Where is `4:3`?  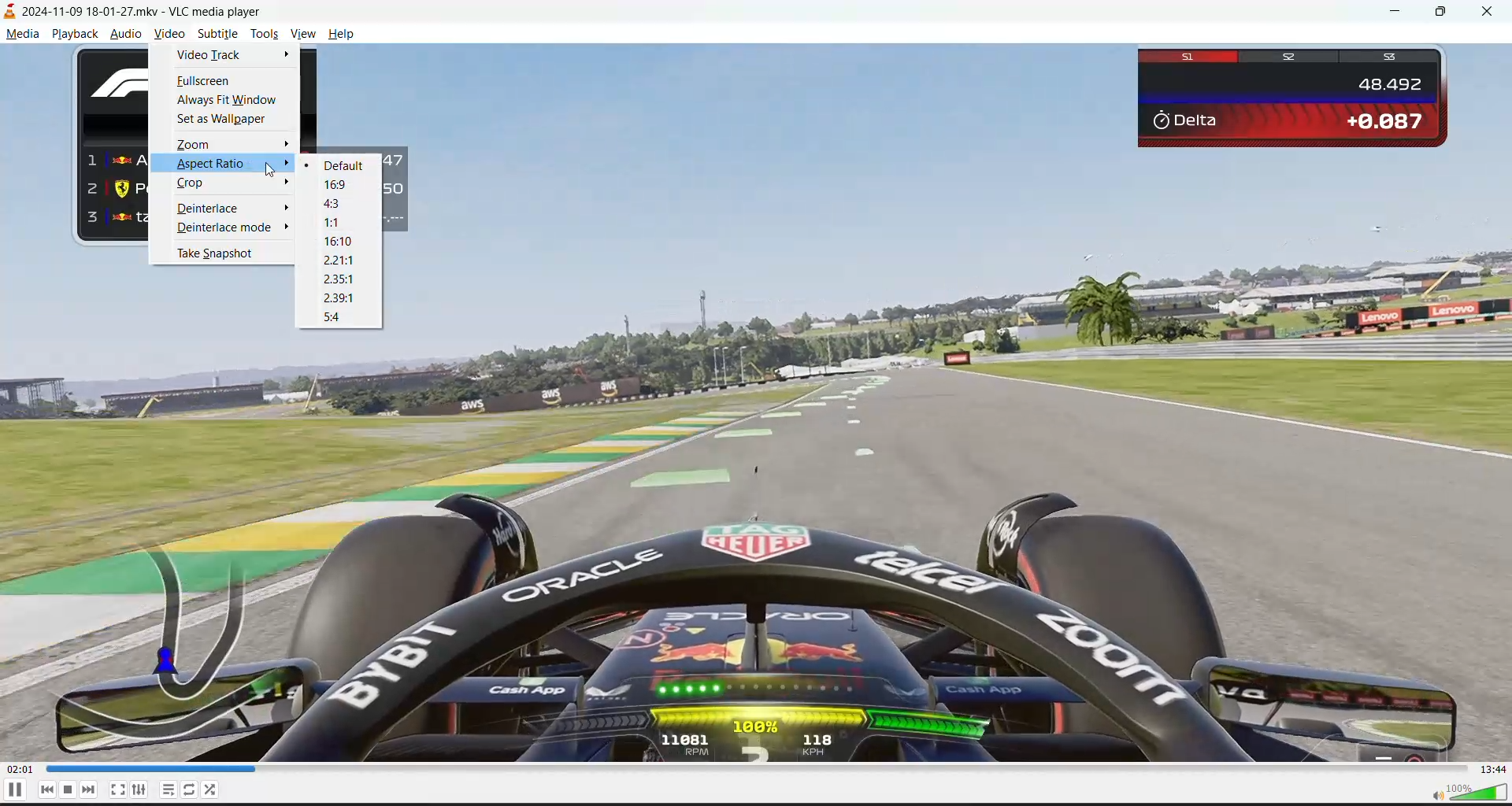 4:3 is located at coordinates (337, 204).